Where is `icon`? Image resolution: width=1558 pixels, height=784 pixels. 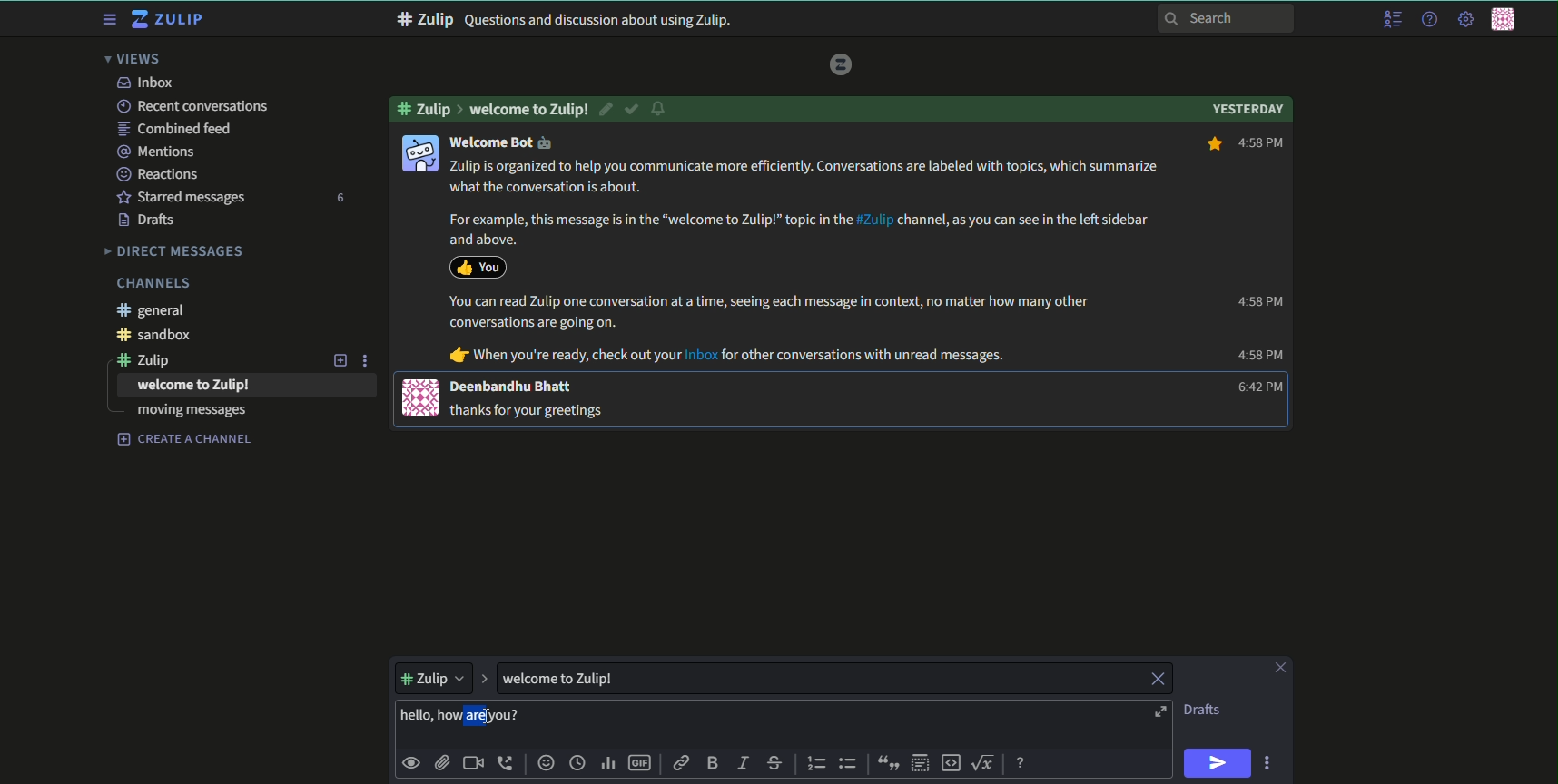 icon is located at coordinates (421, 397).